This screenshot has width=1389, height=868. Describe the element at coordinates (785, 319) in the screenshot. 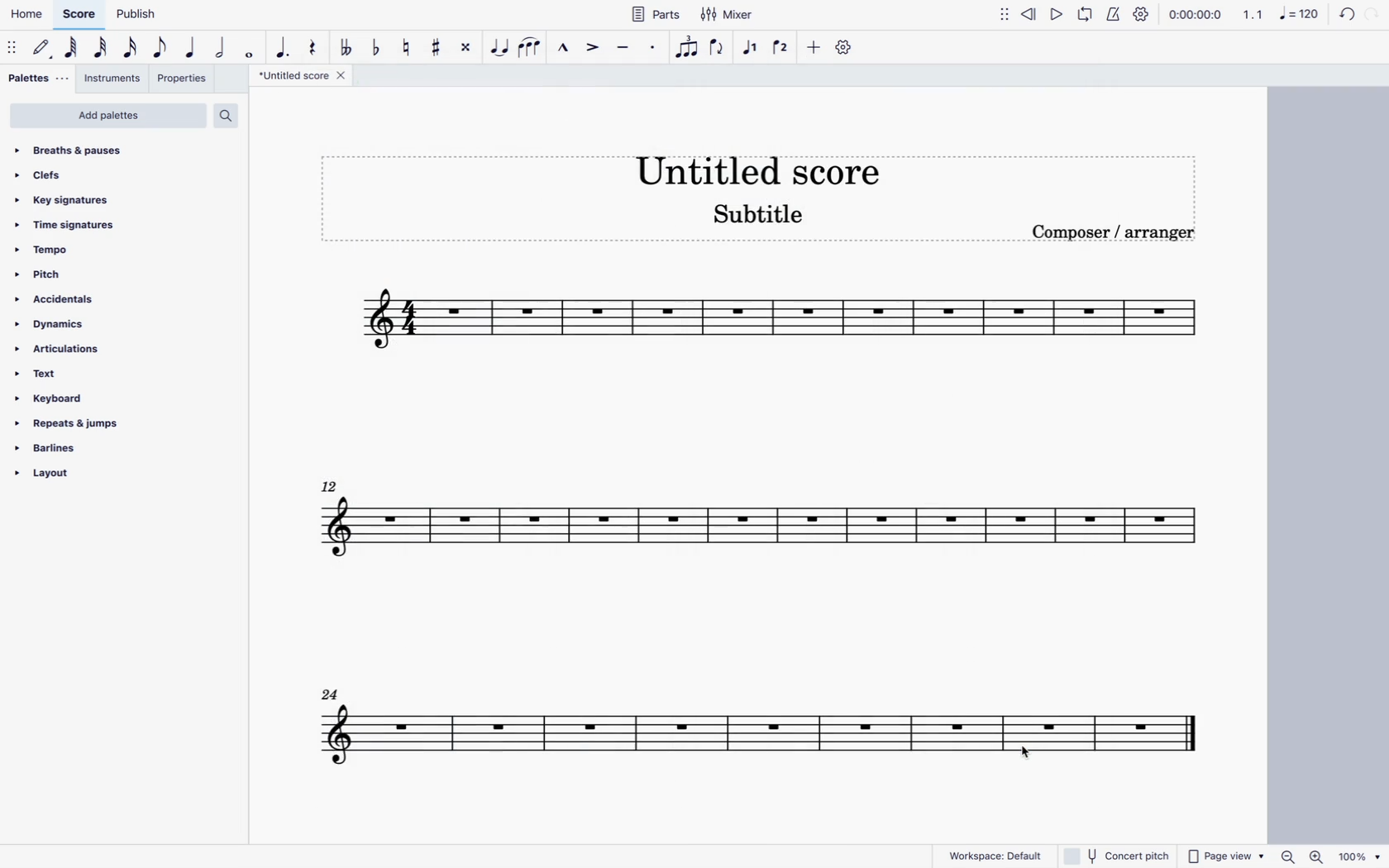

I see `score` at that location.